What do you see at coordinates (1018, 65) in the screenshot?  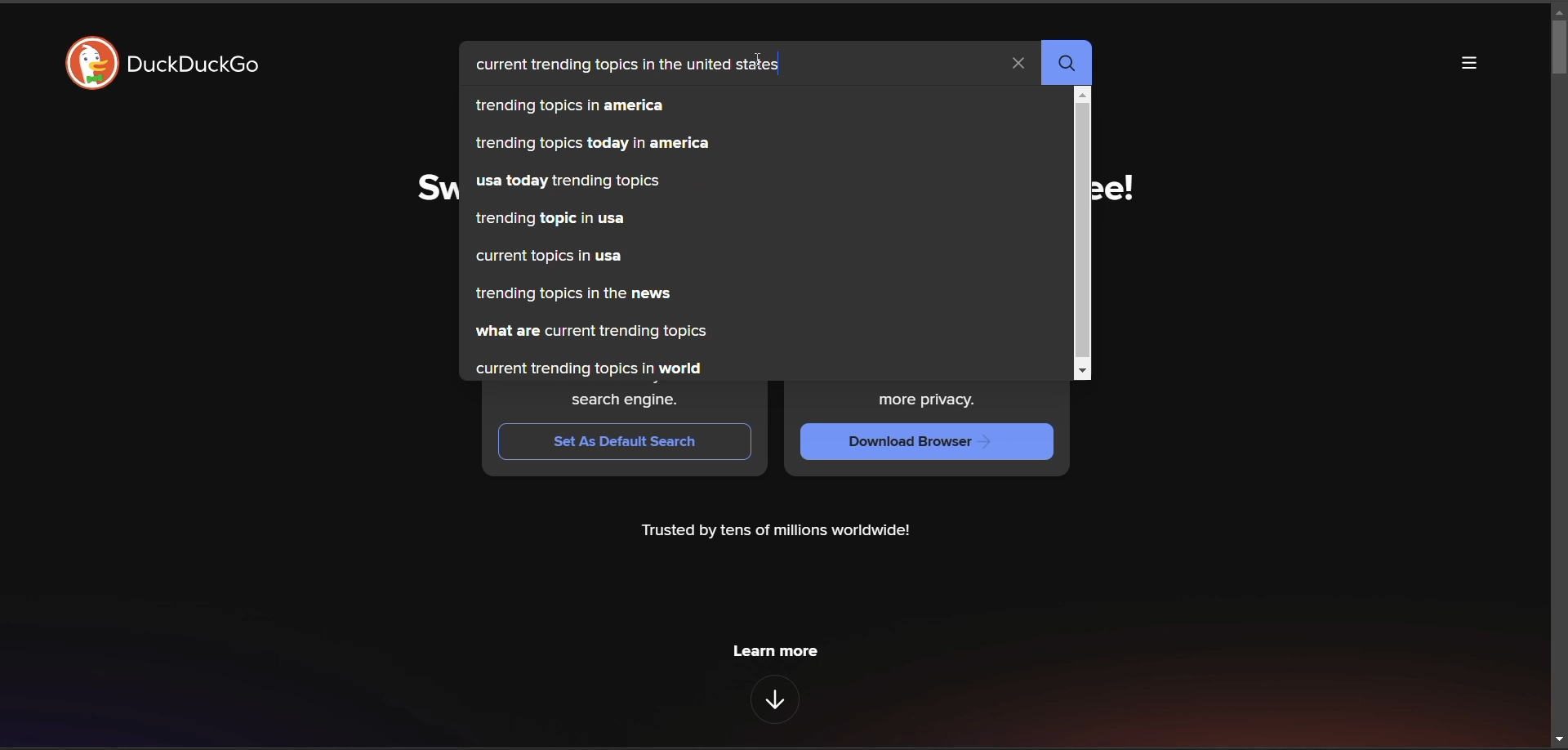 I see `clear search term` at bounding box center [1018, 65].